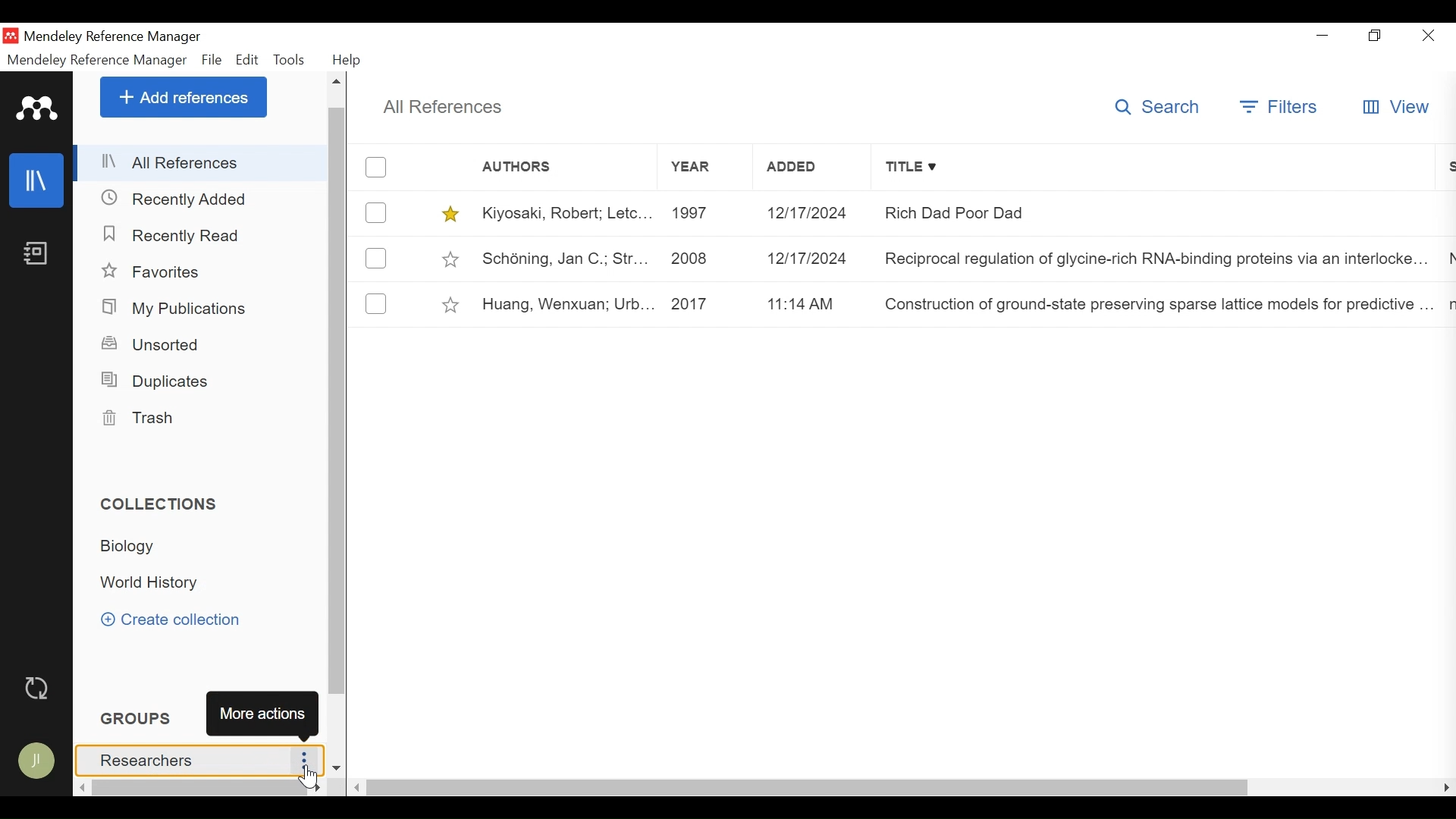  Describe the element at coordinates (565, 214) in the screenshot. I see `Kiyosaki, Robert; Letc...` at that location.